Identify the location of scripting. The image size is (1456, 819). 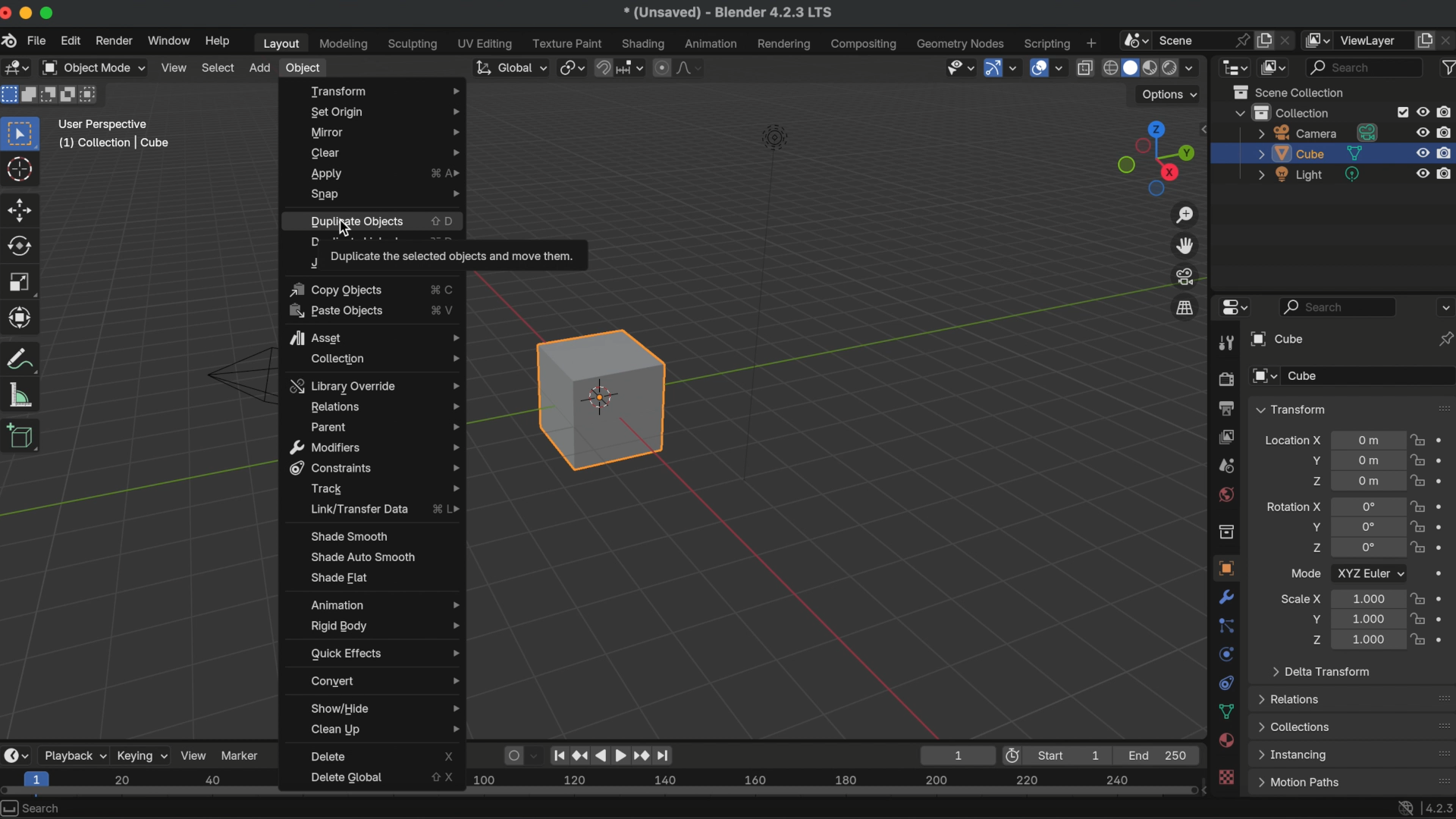
(1045, 43).